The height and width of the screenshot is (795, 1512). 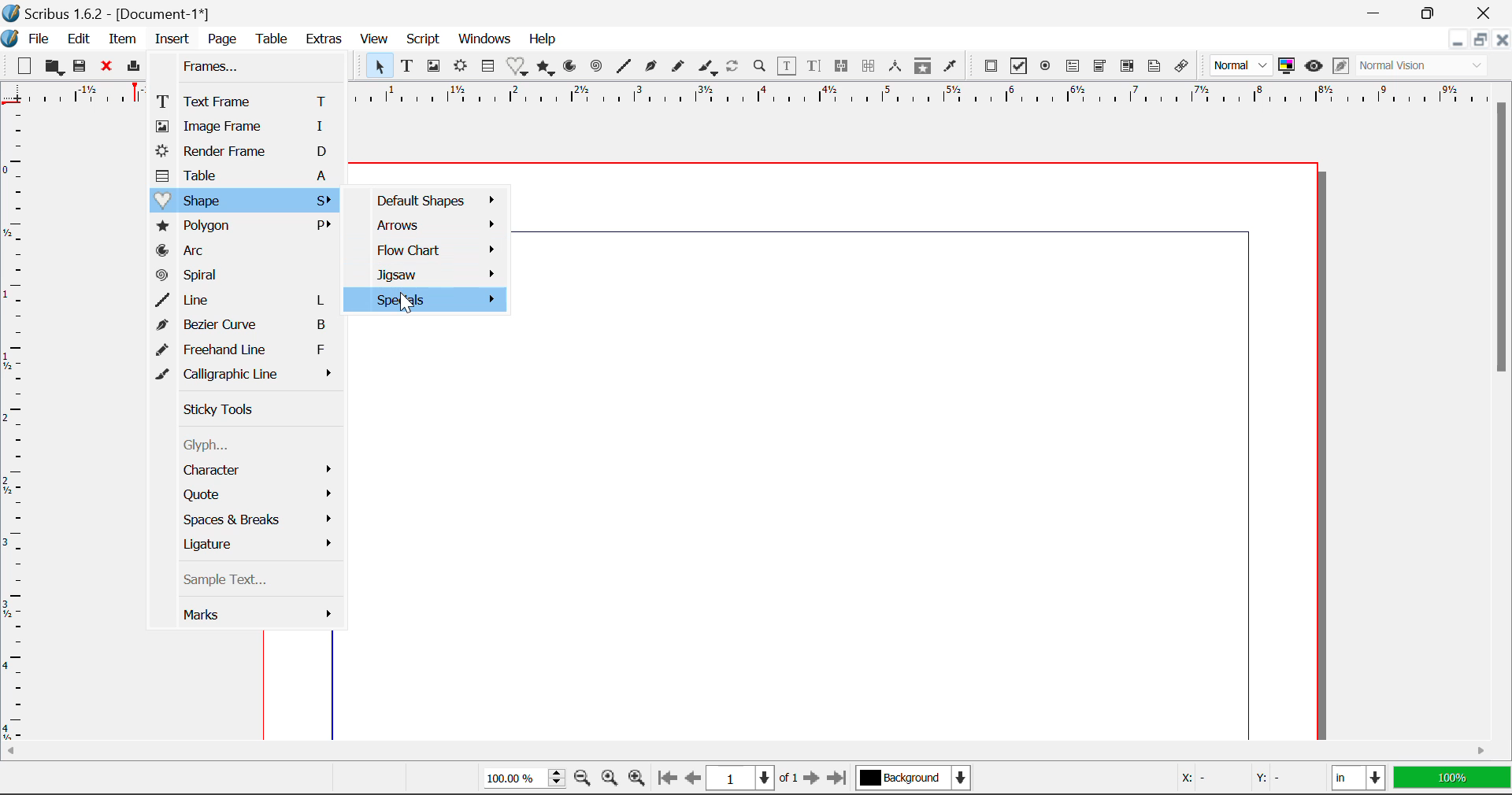 I want to click on Link Text Frames, so click(x=844, y=65).